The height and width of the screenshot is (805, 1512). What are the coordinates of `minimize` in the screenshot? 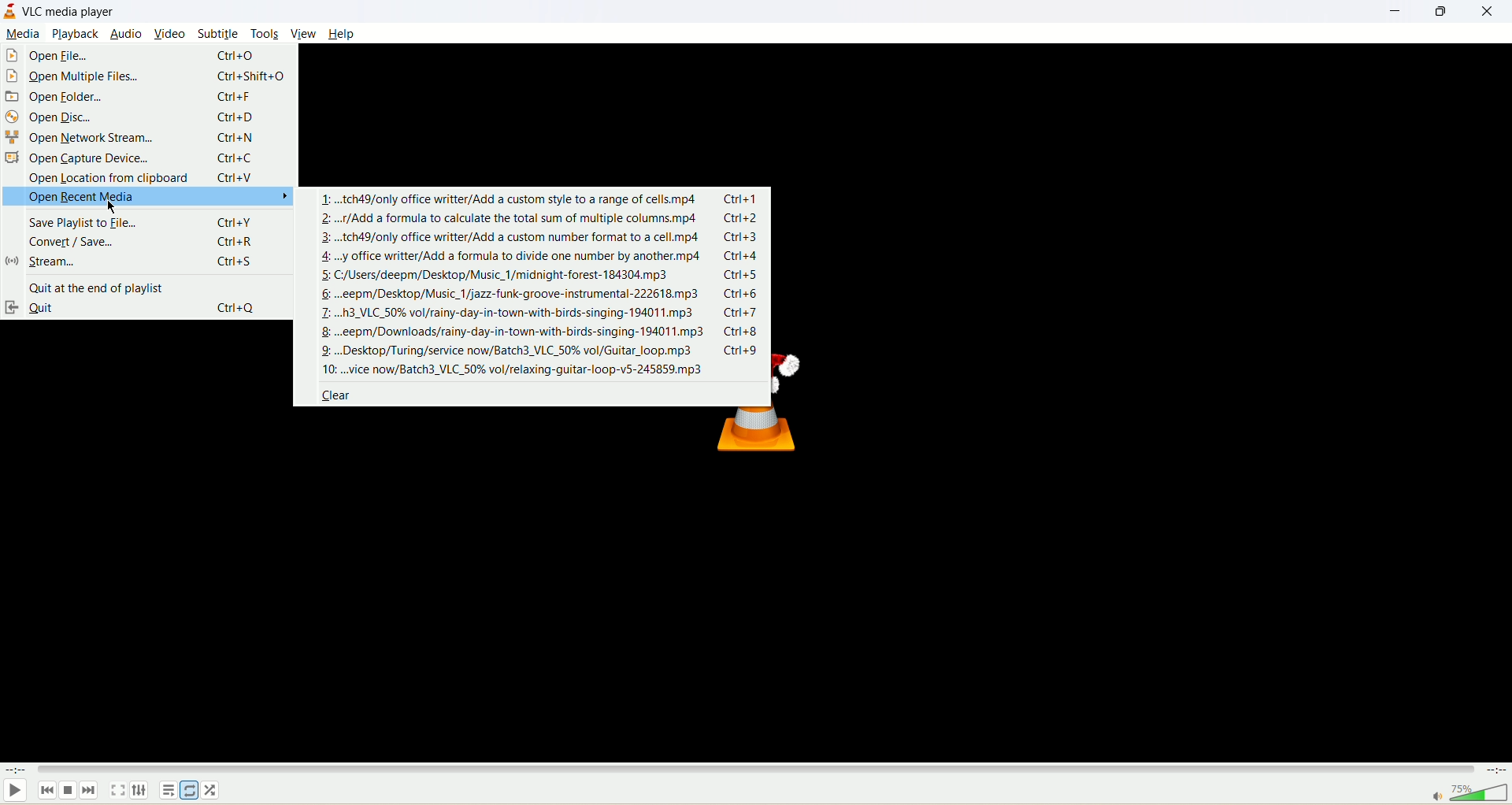 It's located at (1395, 14).